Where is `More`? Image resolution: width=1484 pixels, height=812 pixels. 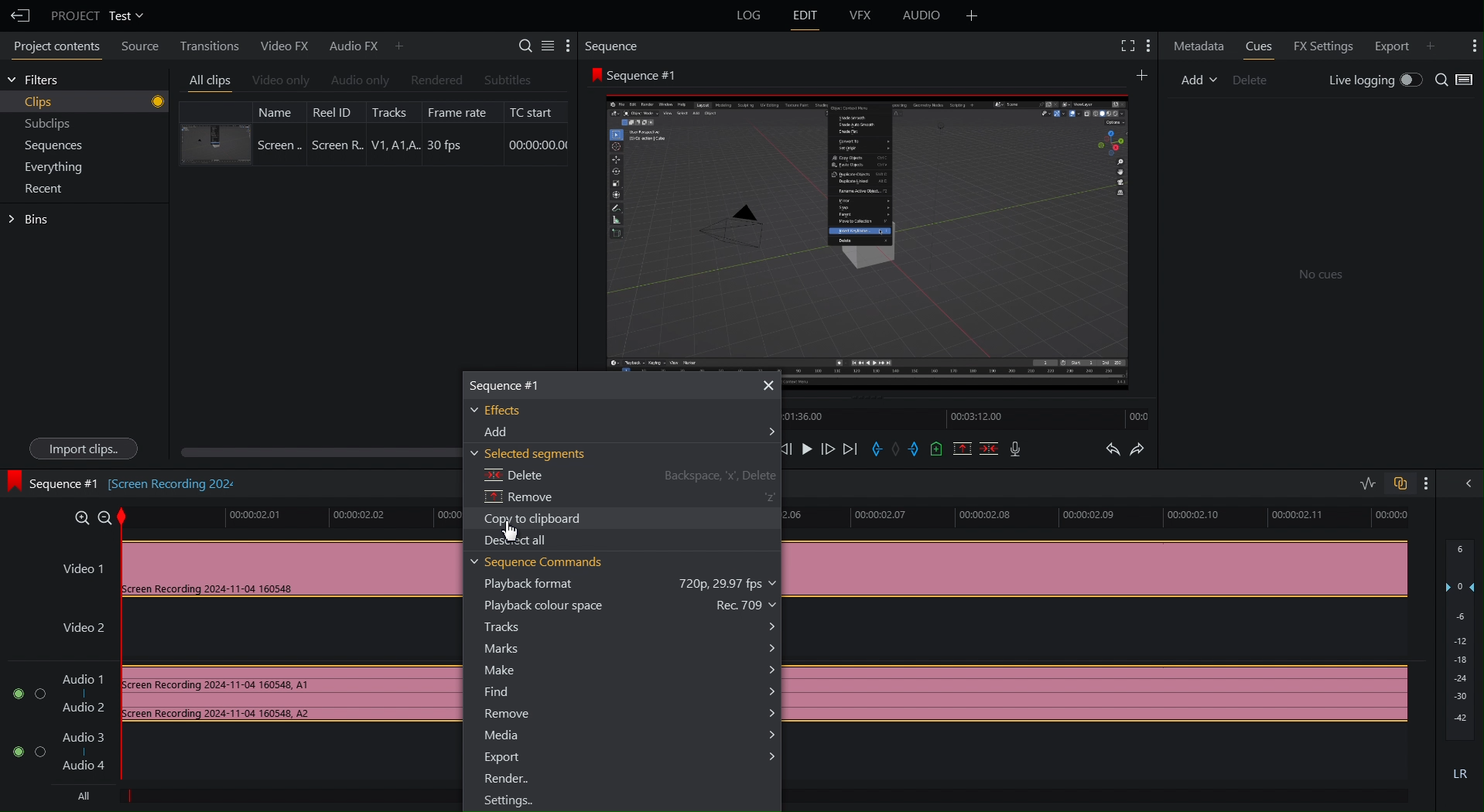
More is located at coordinates (1470, 46).